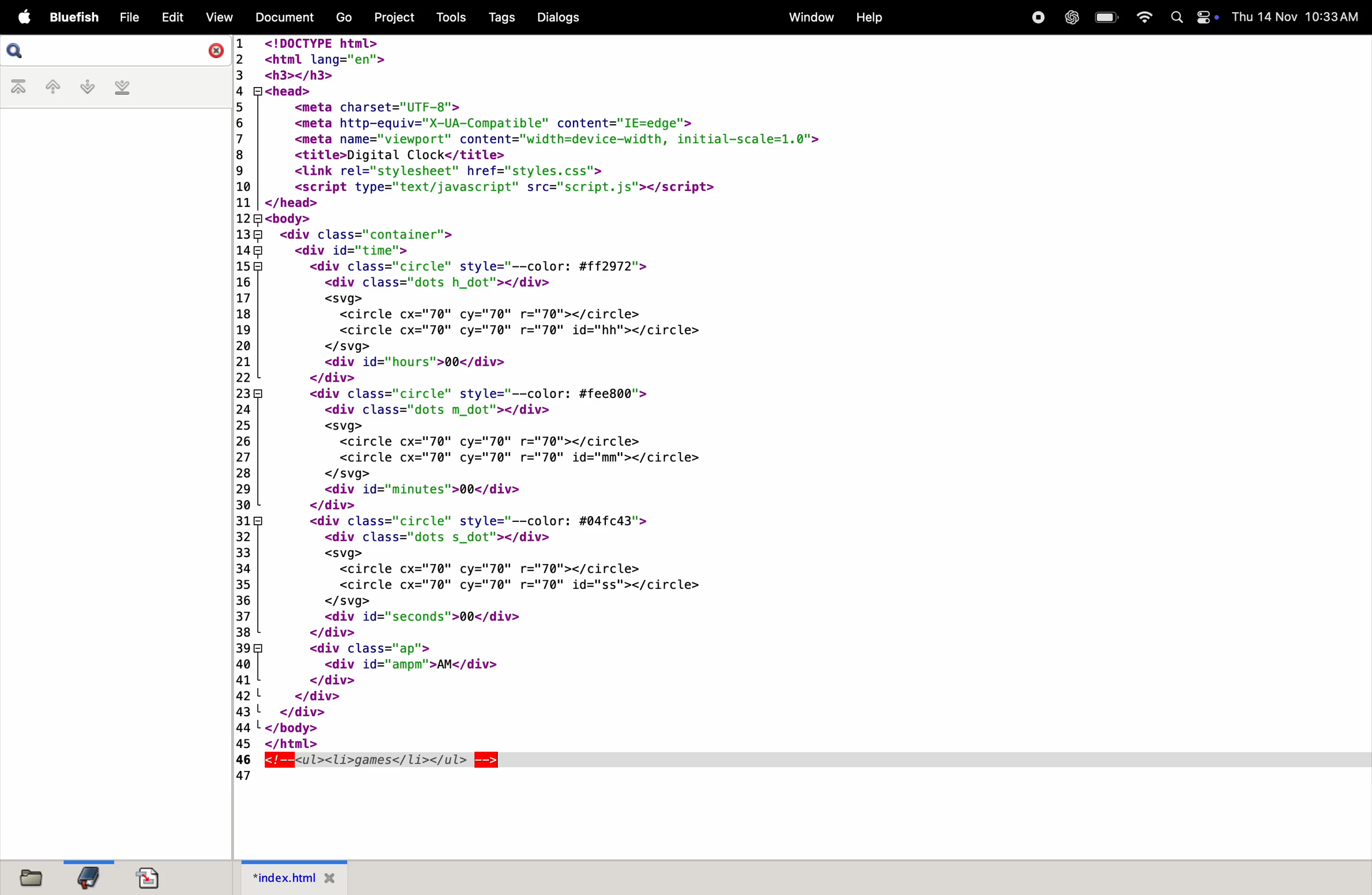  Describe the element at coordinates (292, 878) in the screenshot. I see `index.html` at that location.